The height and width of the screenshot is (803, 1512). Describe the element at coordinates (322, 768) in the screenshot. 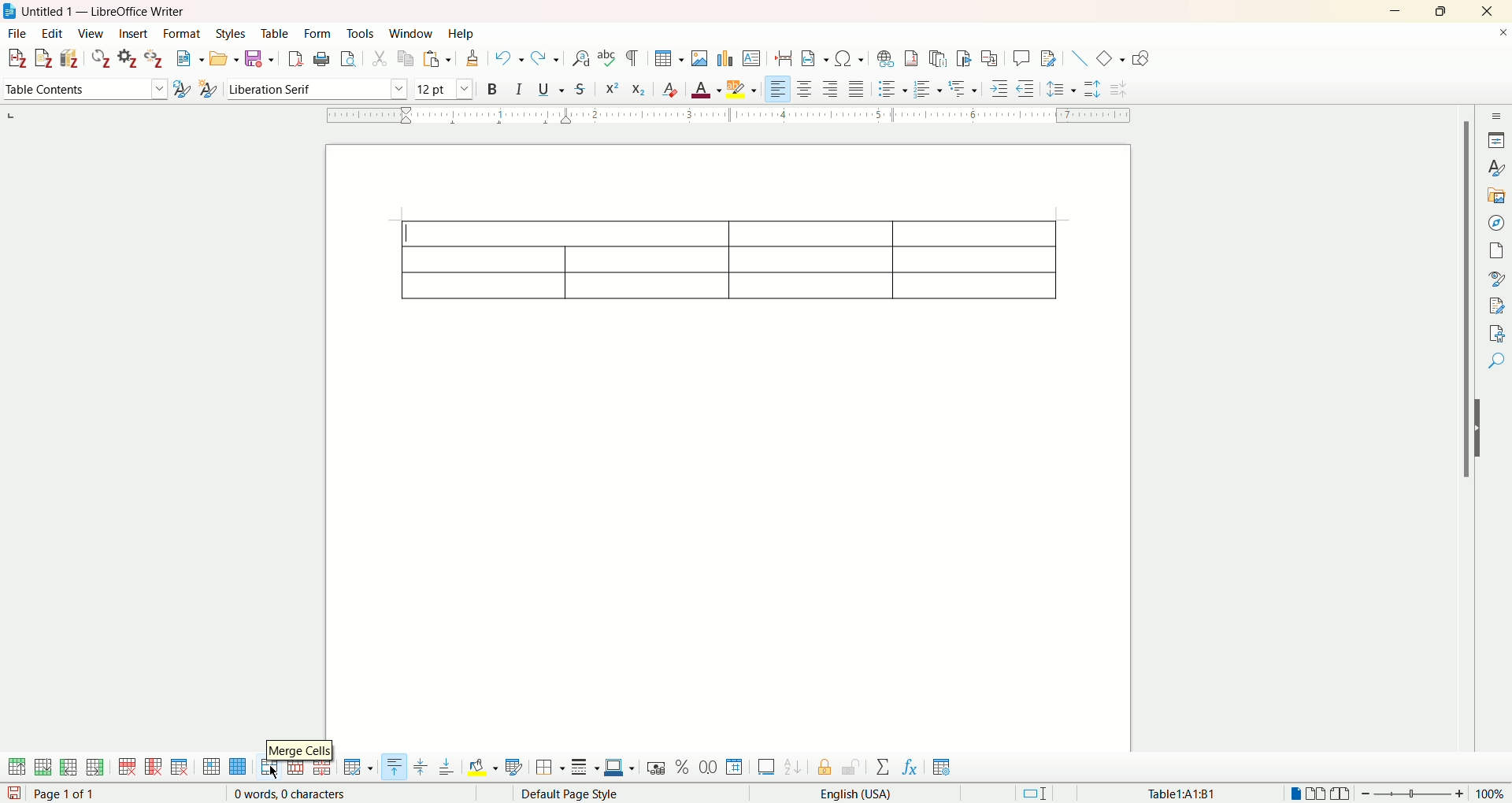

I see `split table` at that location.